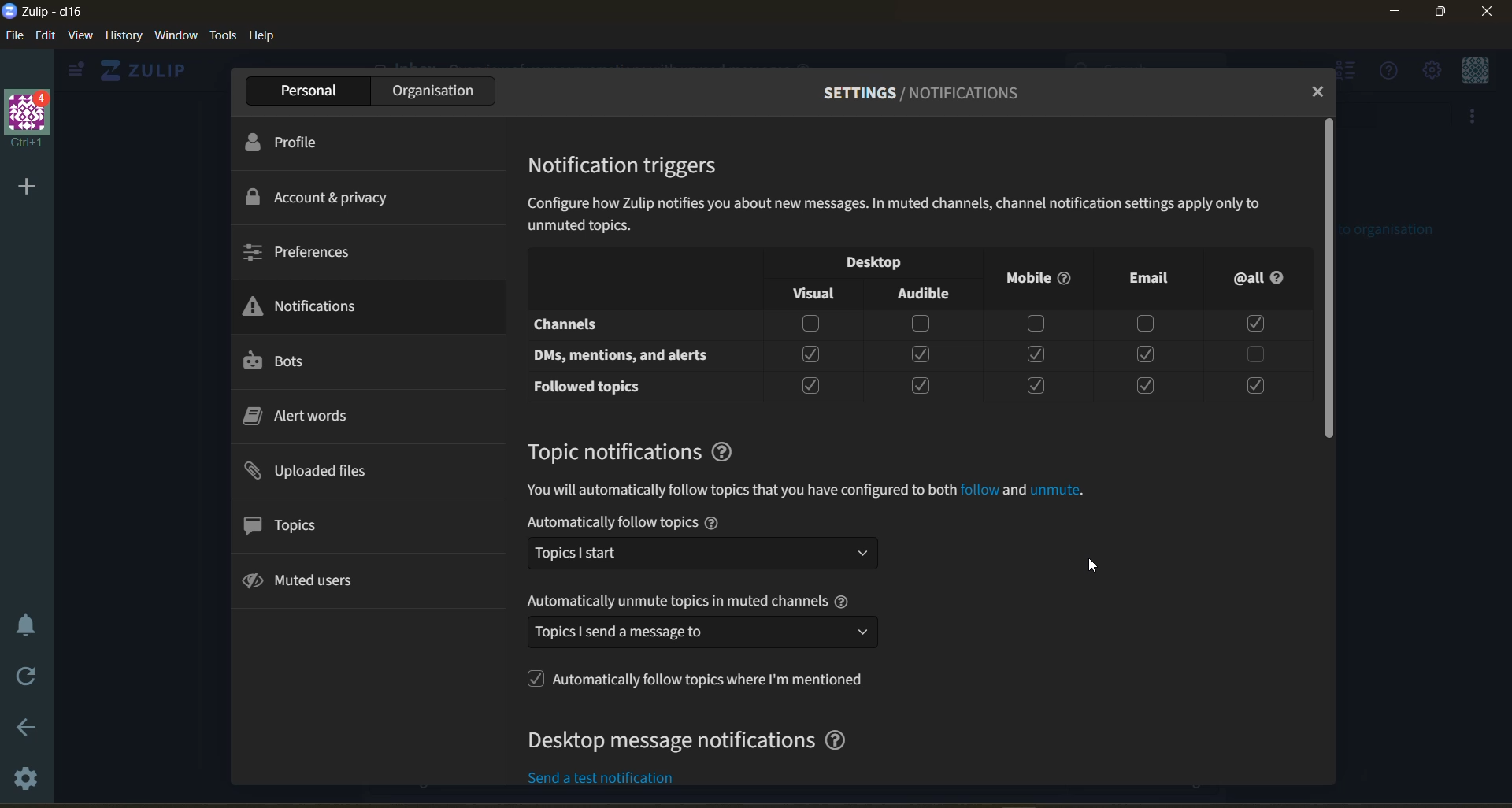 This screenshot has width=1512, height=808. Describe the element at coordinates (1255, 355) in the screenshot. I see `Checkbox` at that location.